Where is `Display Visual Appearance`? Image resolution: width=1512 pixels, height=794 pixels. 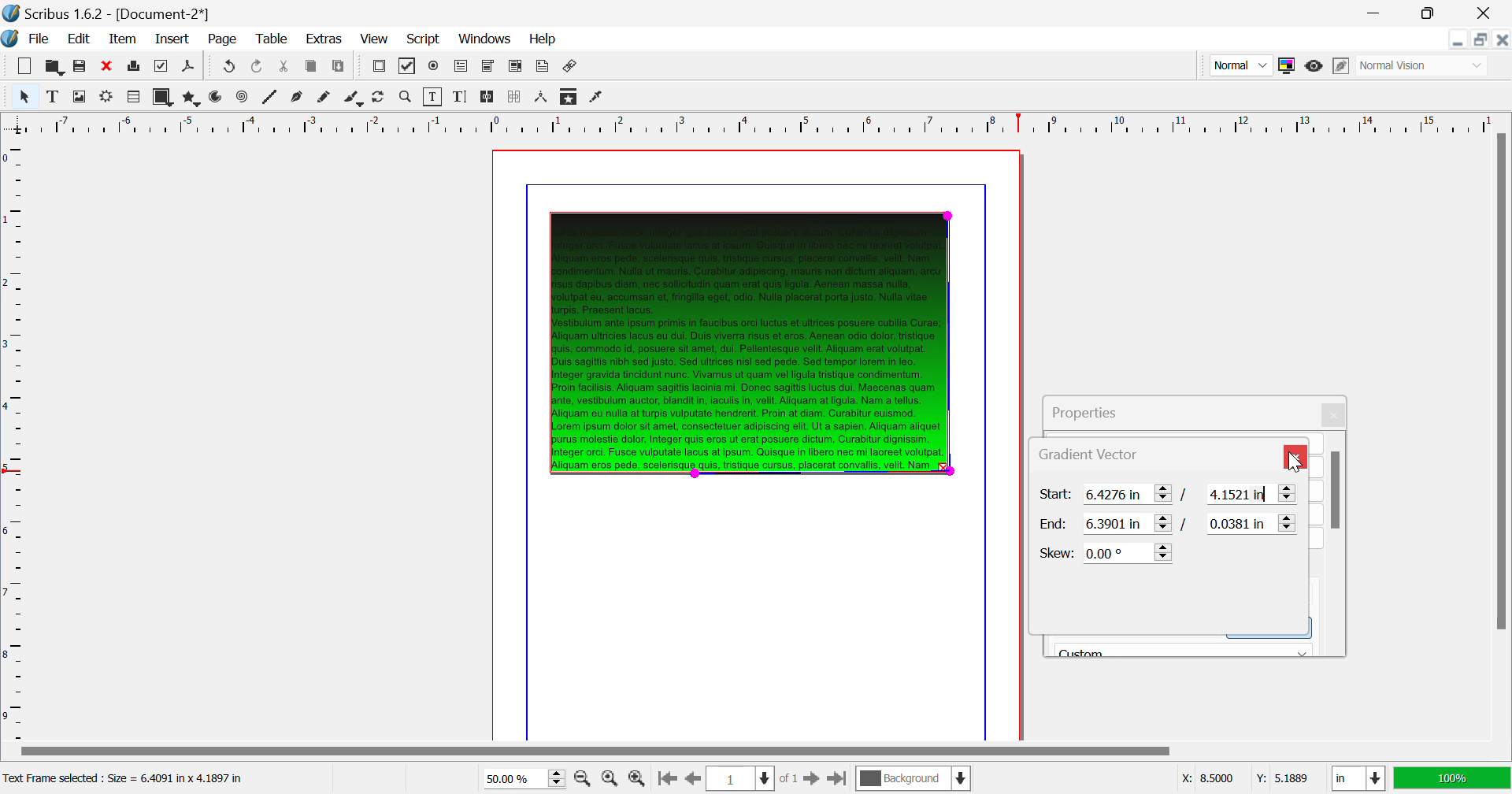 Display Visual Appearance is located at coordinates (1424, 65).